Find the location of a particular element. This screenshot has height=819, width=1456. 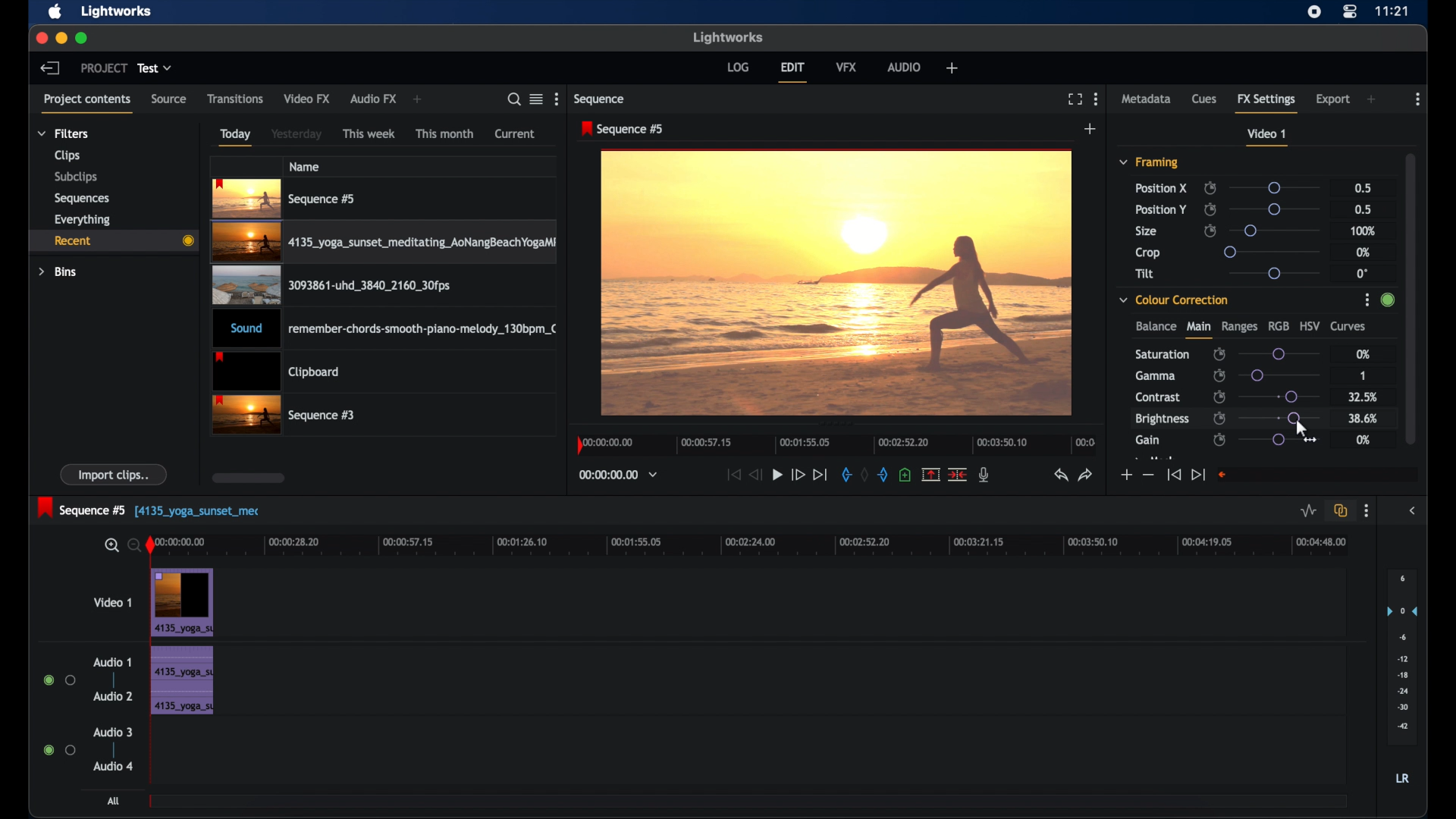

ranges is located at coordinates (1239, 327).